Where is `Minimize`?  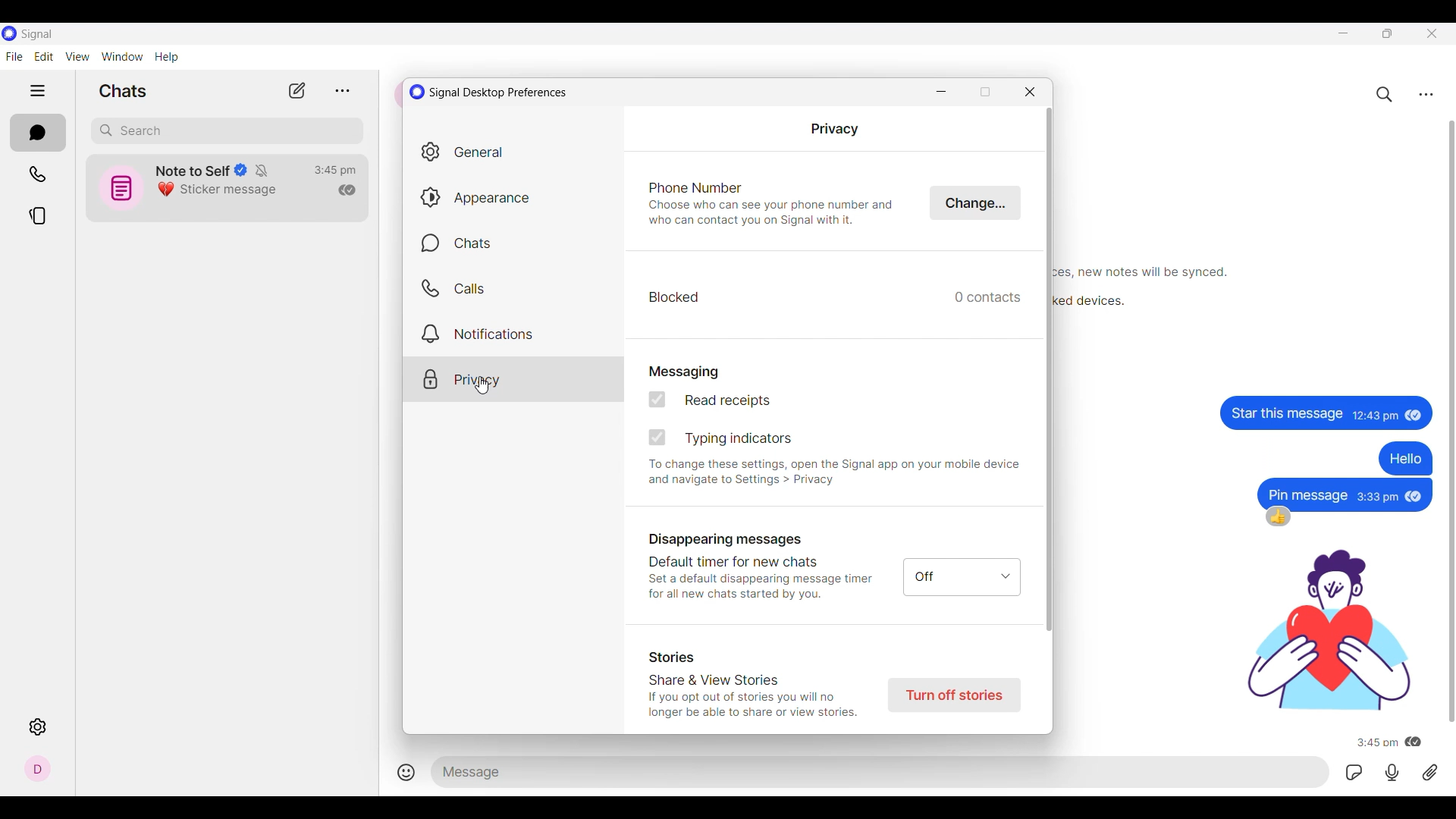
Minimize is located at coordinates (1343, 33).